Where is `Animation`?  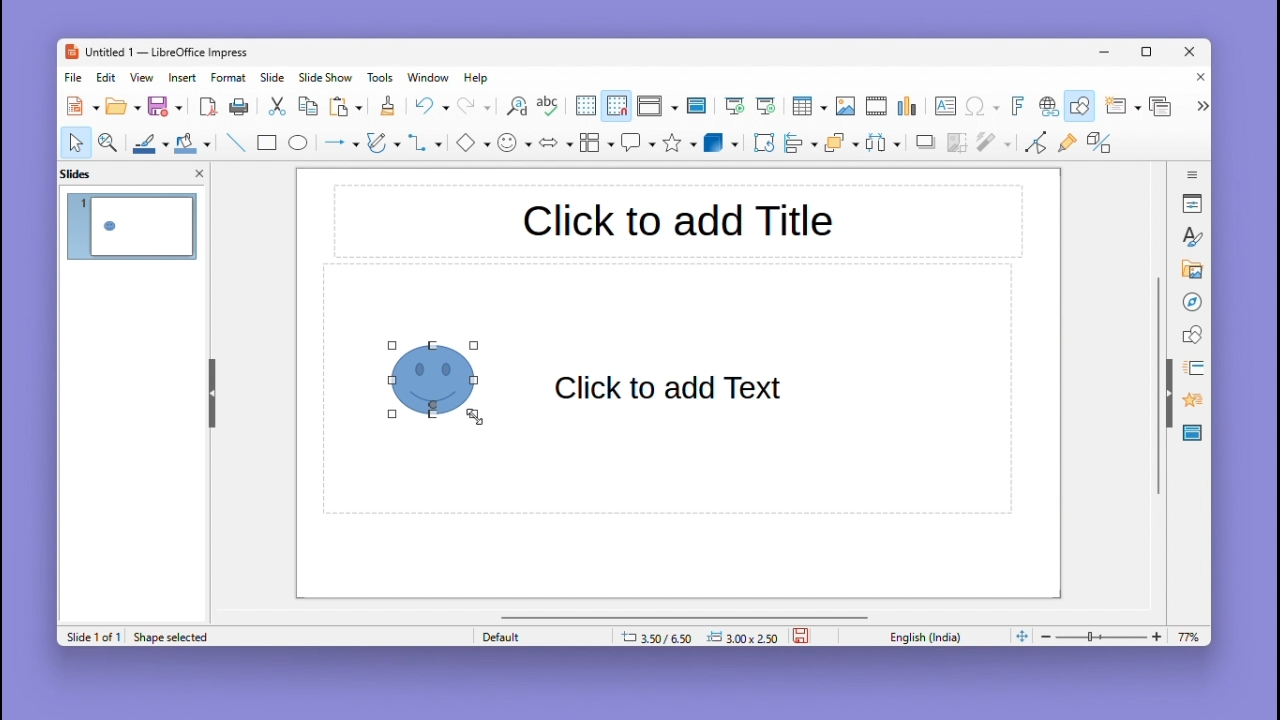 Animation is located at coordinates (1190, 368).